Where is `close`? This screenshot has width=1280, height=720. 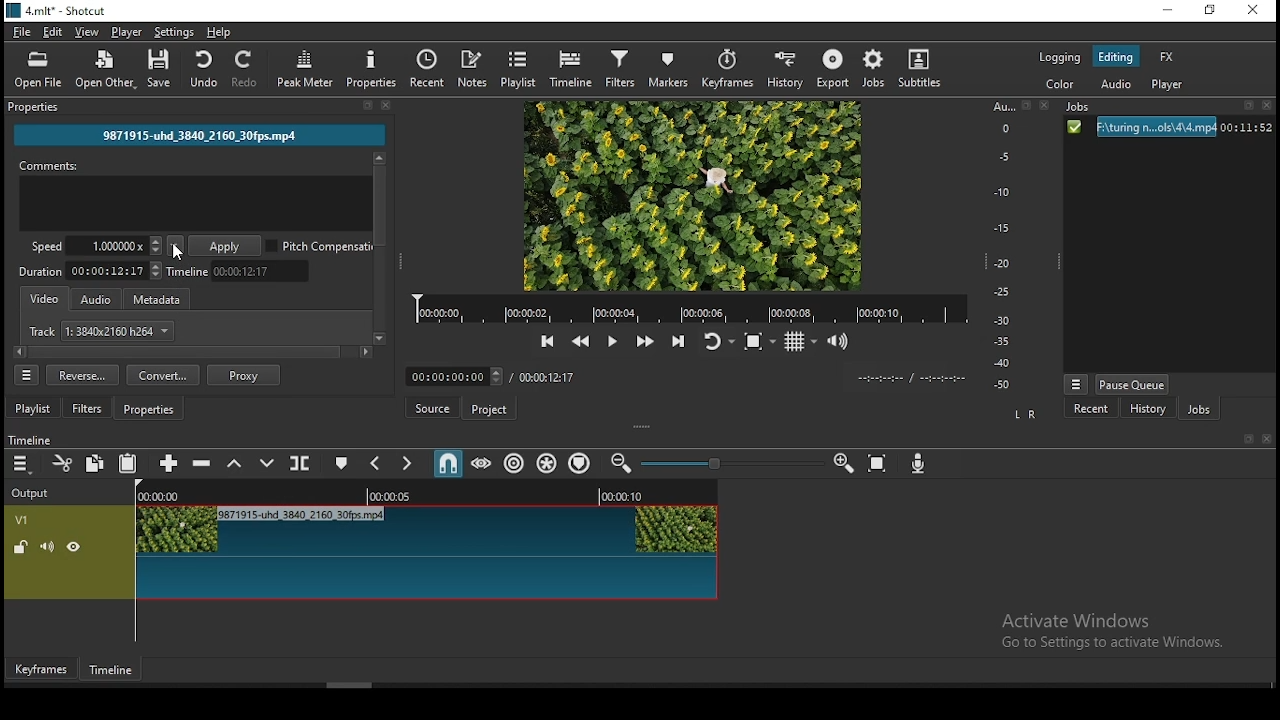
close is located at coordinates (1041, 106).